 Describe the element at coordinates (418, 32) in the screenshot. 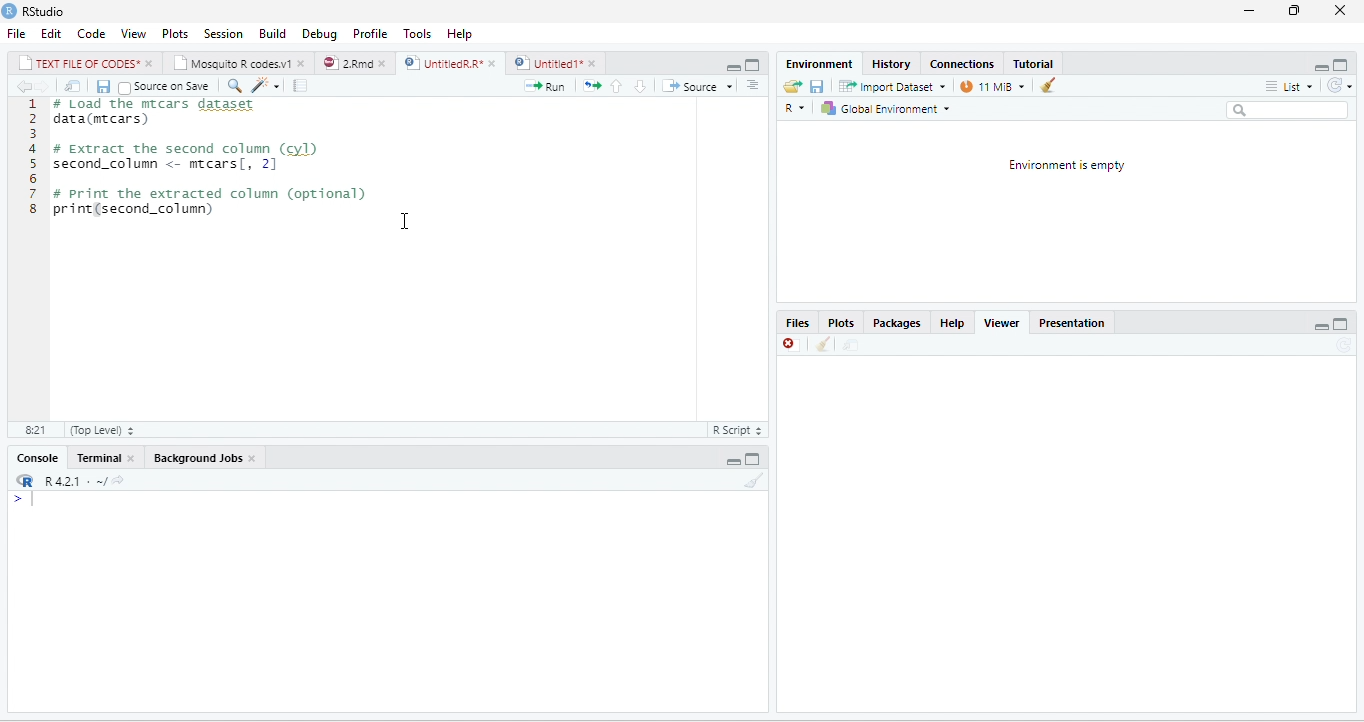

I see `Tools` at that location.